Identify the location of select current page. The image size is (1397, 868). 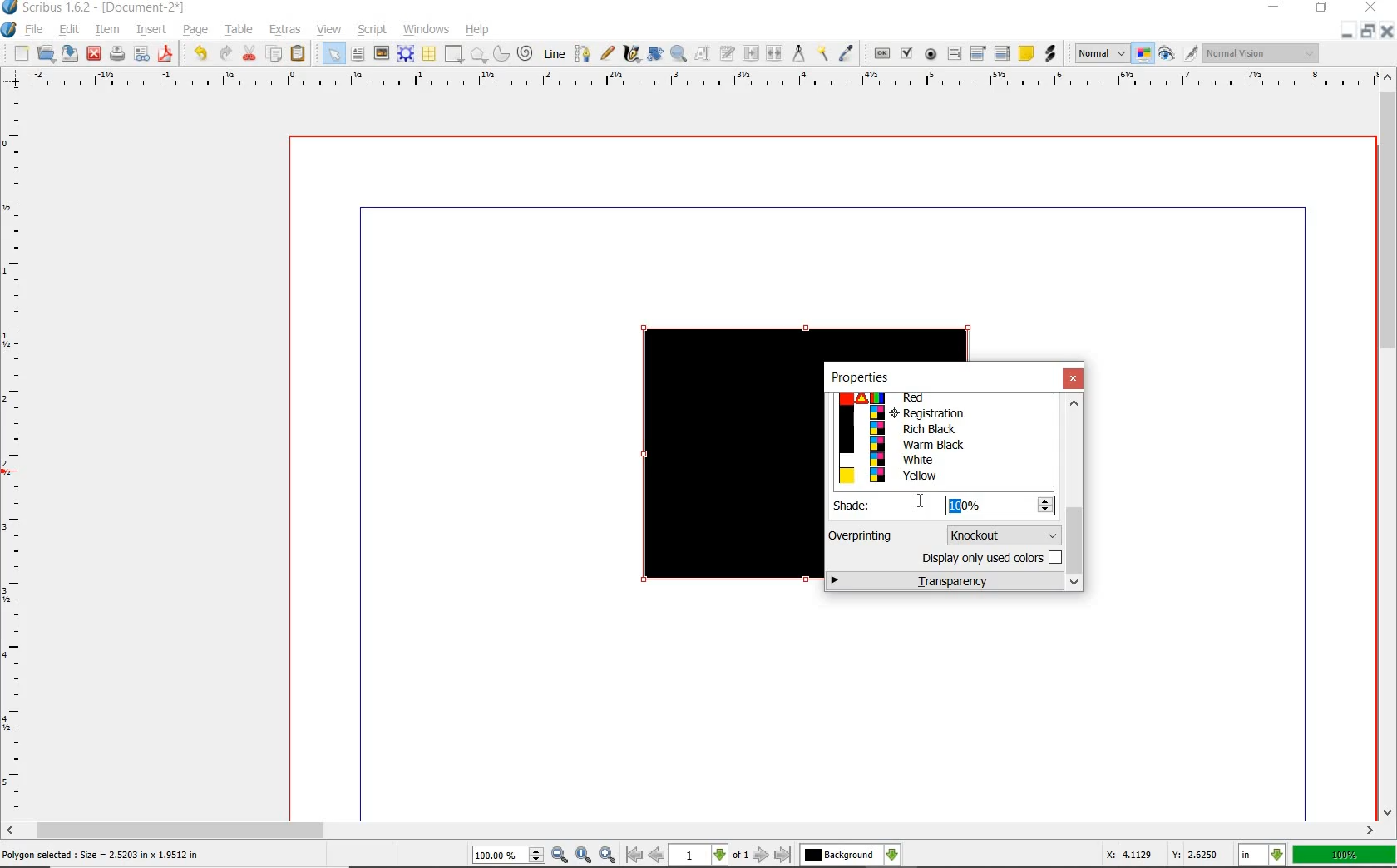
(708, 856).